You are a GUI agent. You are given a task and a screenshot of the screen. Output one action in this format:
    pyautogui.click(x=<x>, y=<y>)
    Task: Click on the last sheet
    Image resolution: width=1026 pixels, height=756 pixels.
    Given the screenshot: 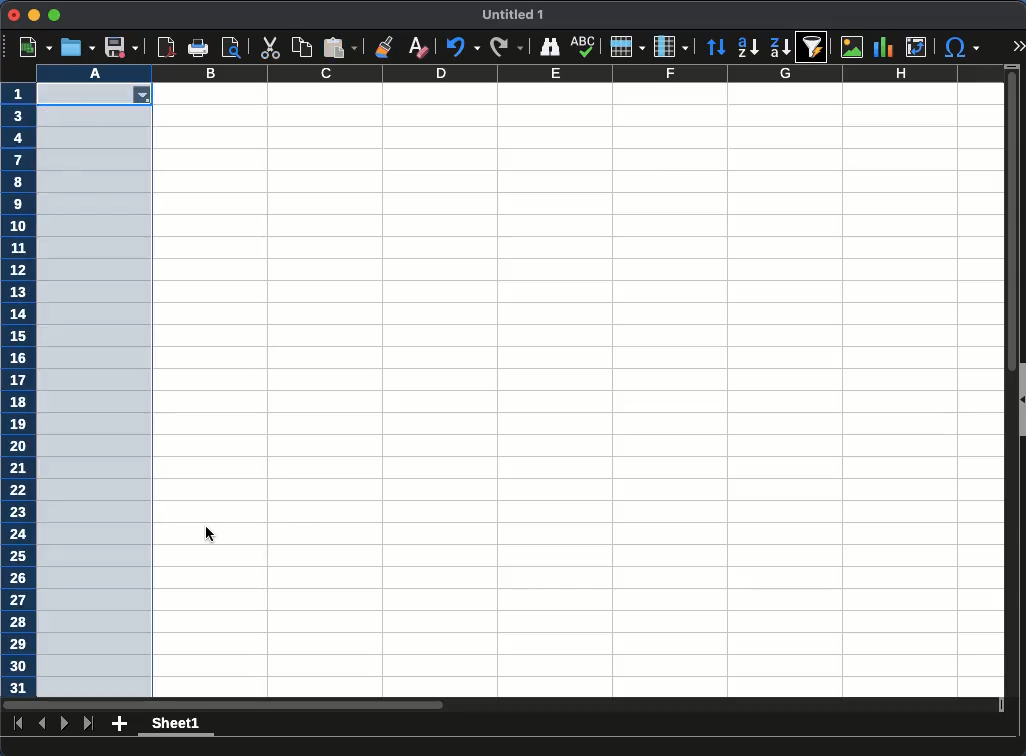 What is the action you would take?
    pyautogui.click(x=90, y=724)
    